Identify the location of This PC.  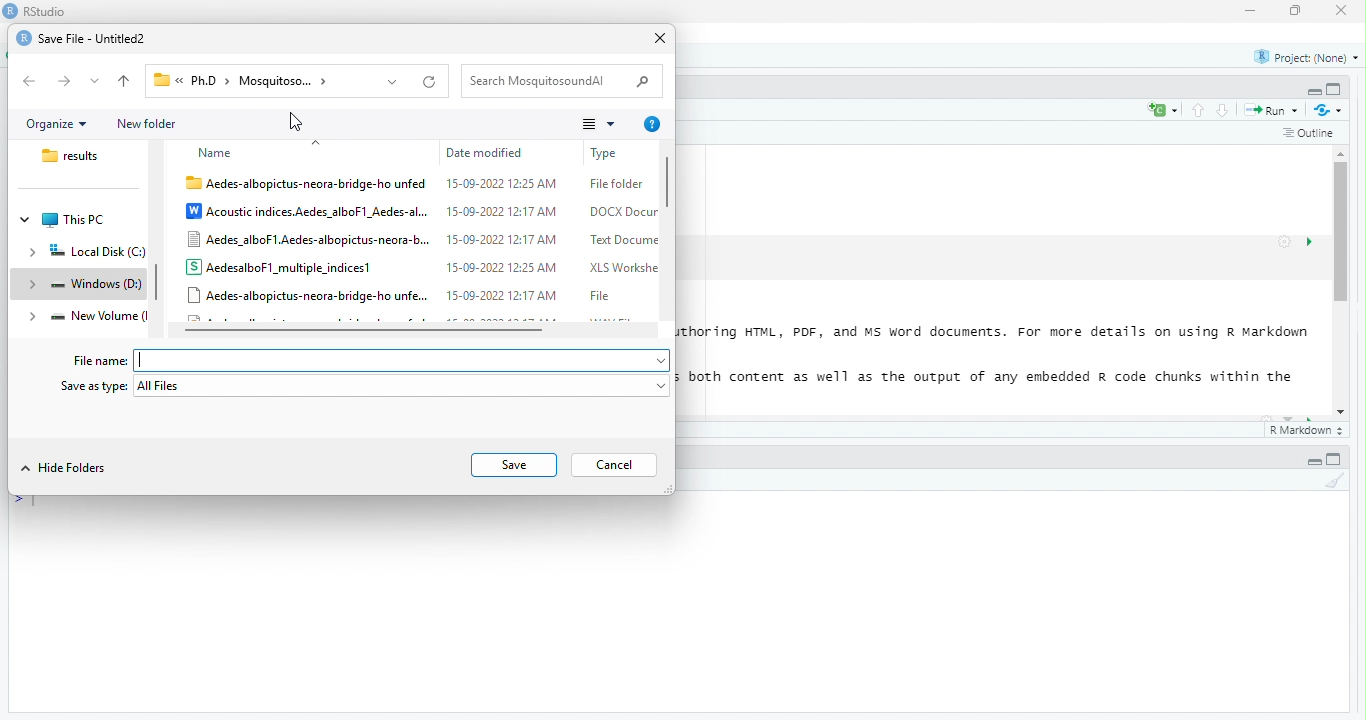
(73, 221).